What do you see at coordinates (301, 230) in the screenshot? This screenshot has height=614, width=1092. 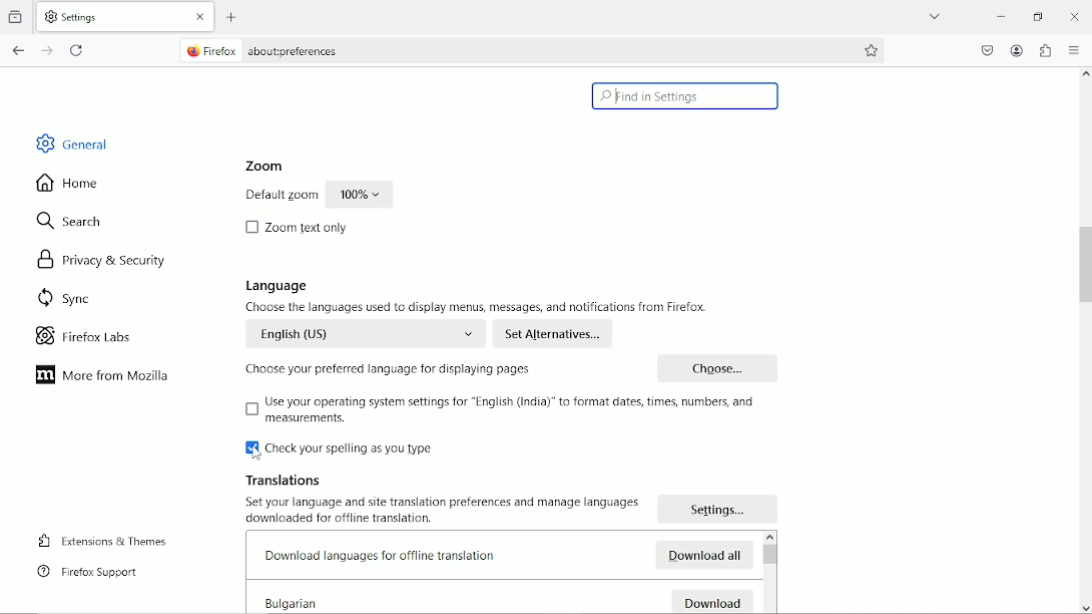 I see `Zoom text only` at bounding box center [301, 230].